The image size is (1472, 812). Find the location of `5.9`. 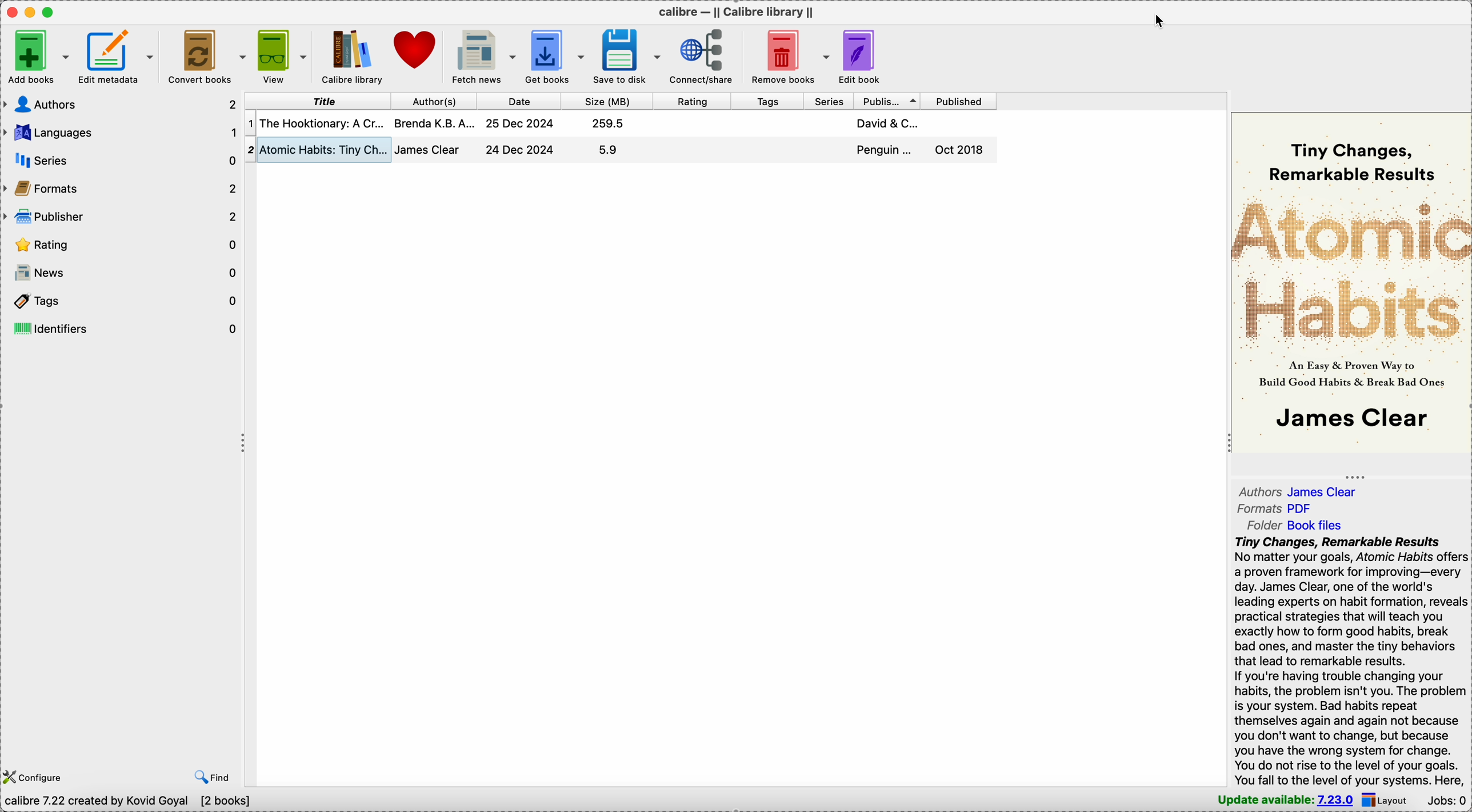

5.9 is located at coordinates (609, 150).